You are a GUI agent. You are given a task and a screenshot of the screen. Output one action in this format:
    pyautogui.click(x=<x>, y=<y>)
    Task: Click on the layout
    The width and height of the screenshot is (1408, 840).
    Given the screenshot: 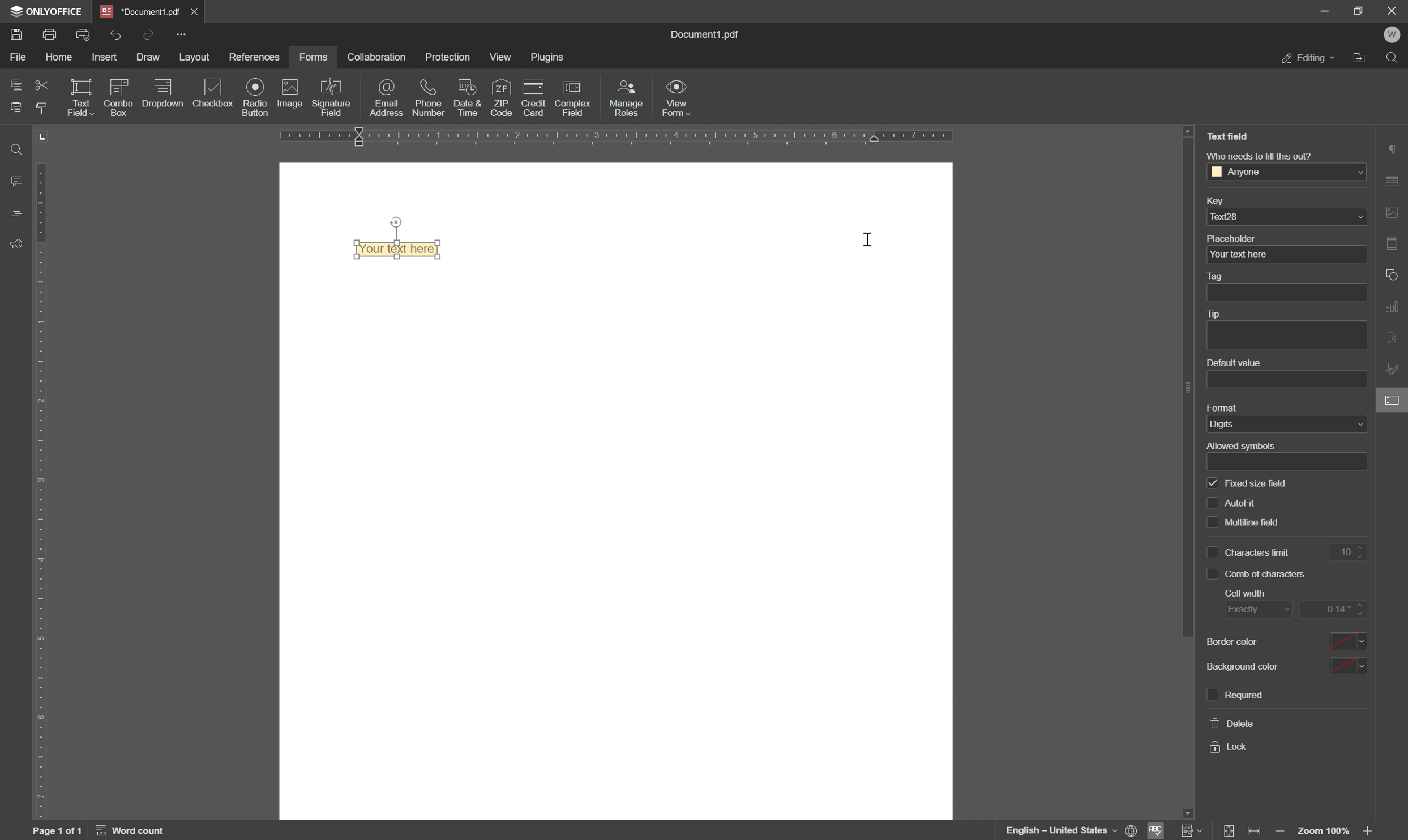 What is the action you would take?
    pyautogui.click(x=197, y=57)
    